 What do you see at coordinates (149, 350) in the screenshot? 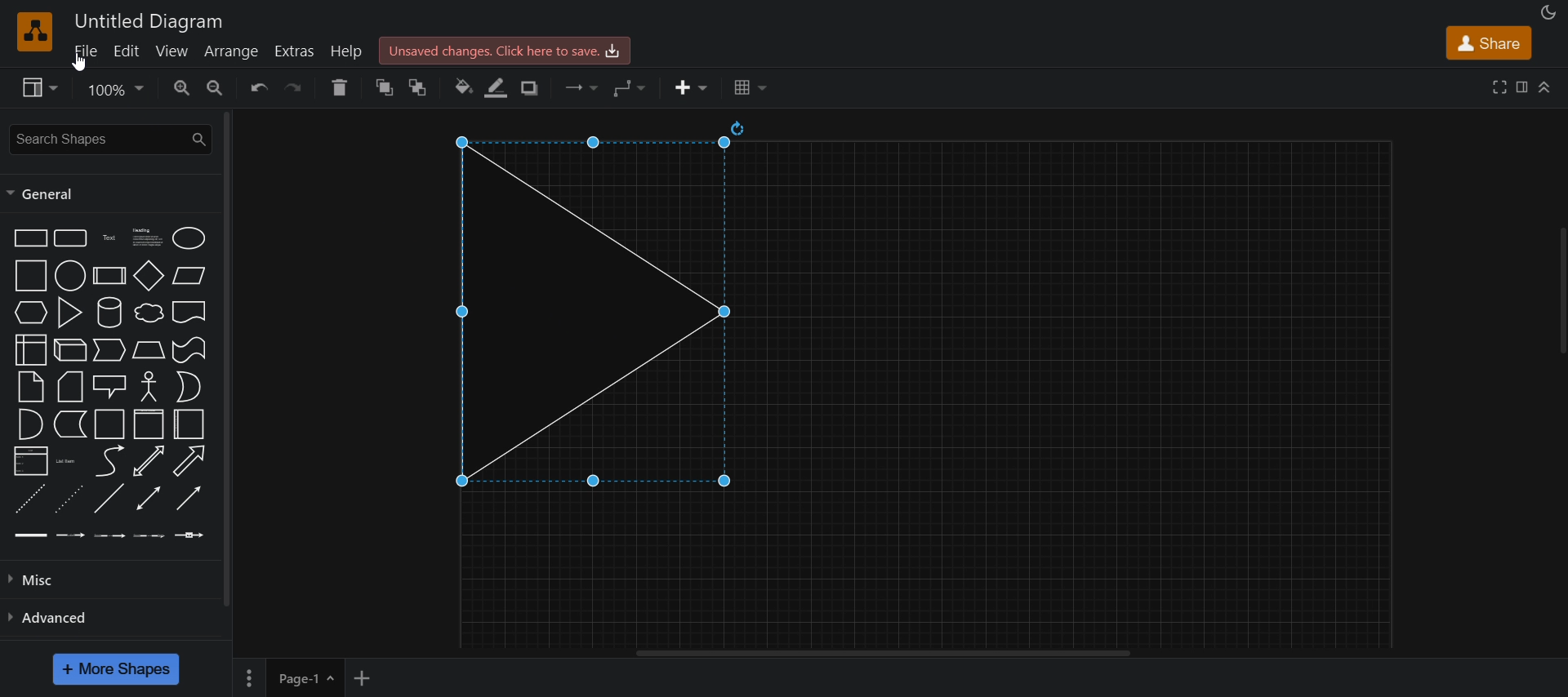
I see `trapezoid` at bounding box center [149, 350].